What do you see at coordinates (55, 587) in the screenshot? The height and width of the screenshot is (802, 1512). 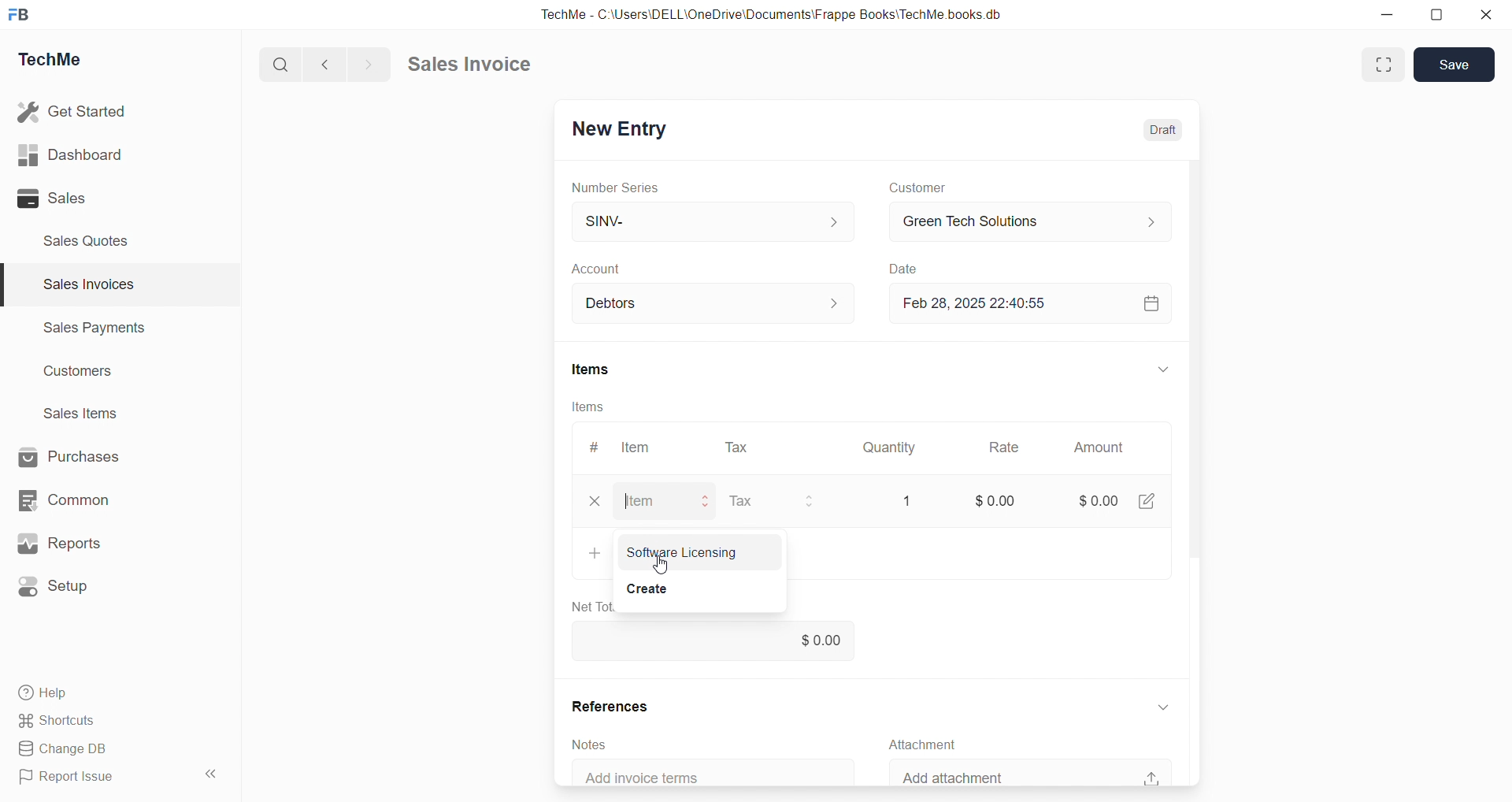 I see `Setup` at bounding box center [55, 587].